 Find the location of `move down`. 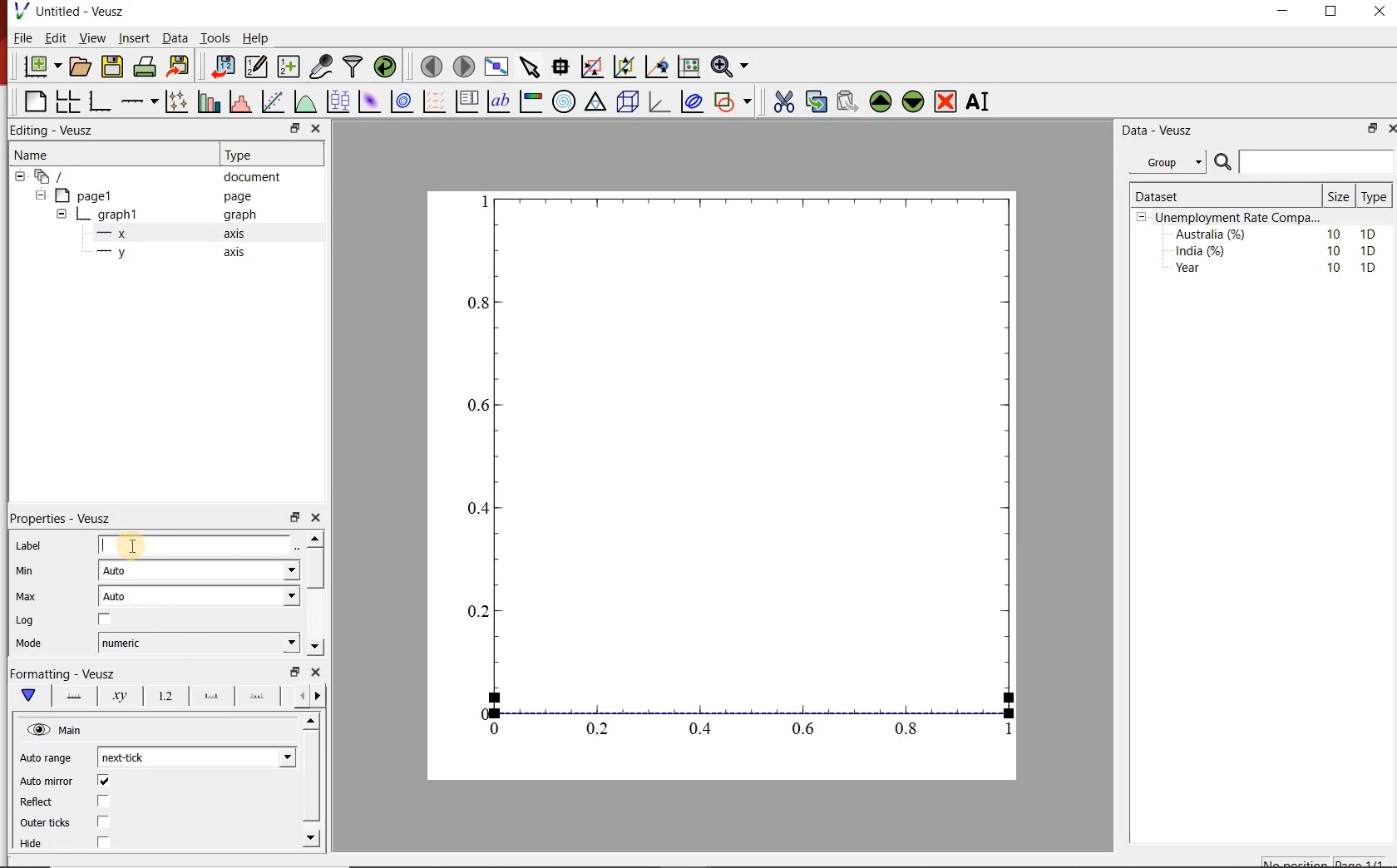

move down is located at coordinates (311, 838).